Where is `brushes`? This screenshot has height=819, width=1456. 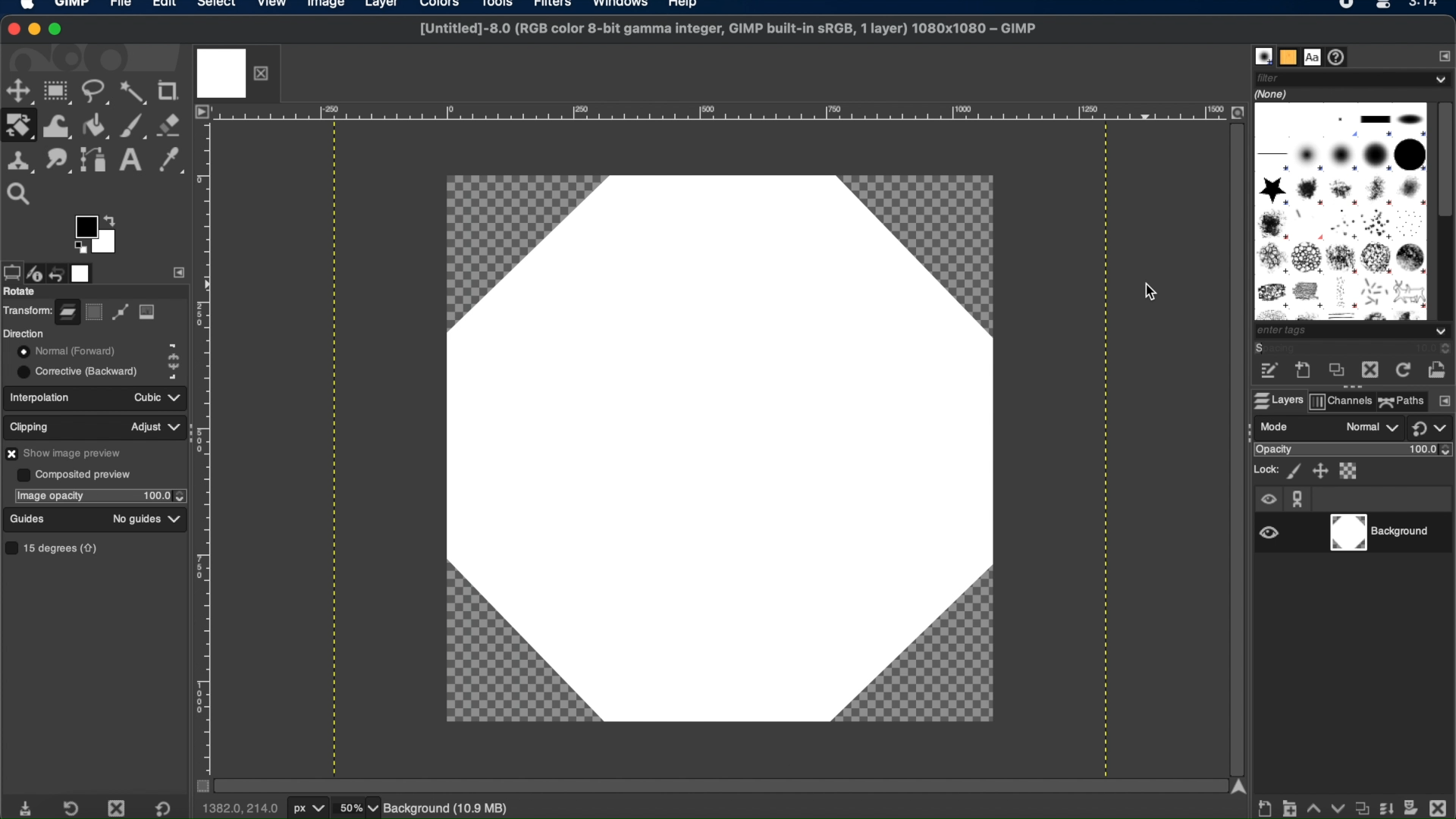
brushes is located at coordinates (1263, 56).